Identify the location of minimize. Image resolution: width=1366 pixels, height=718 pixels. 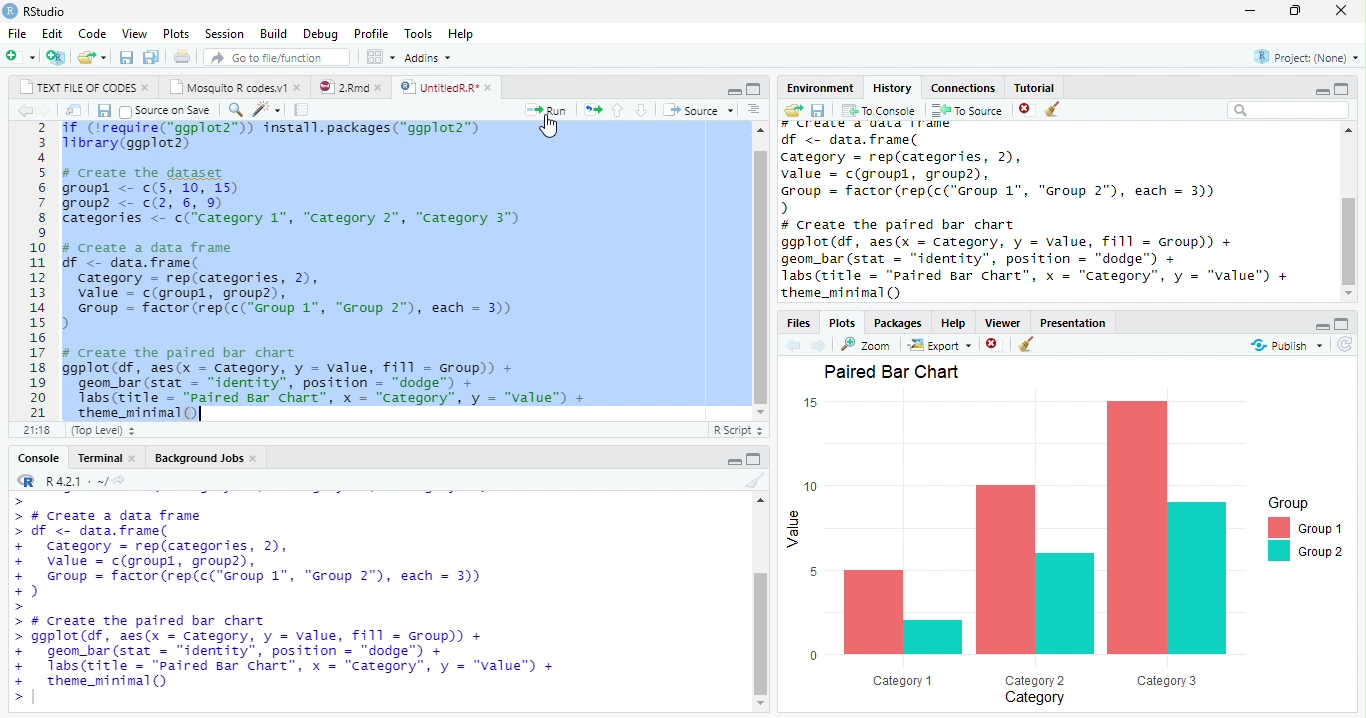
(1250, 10).